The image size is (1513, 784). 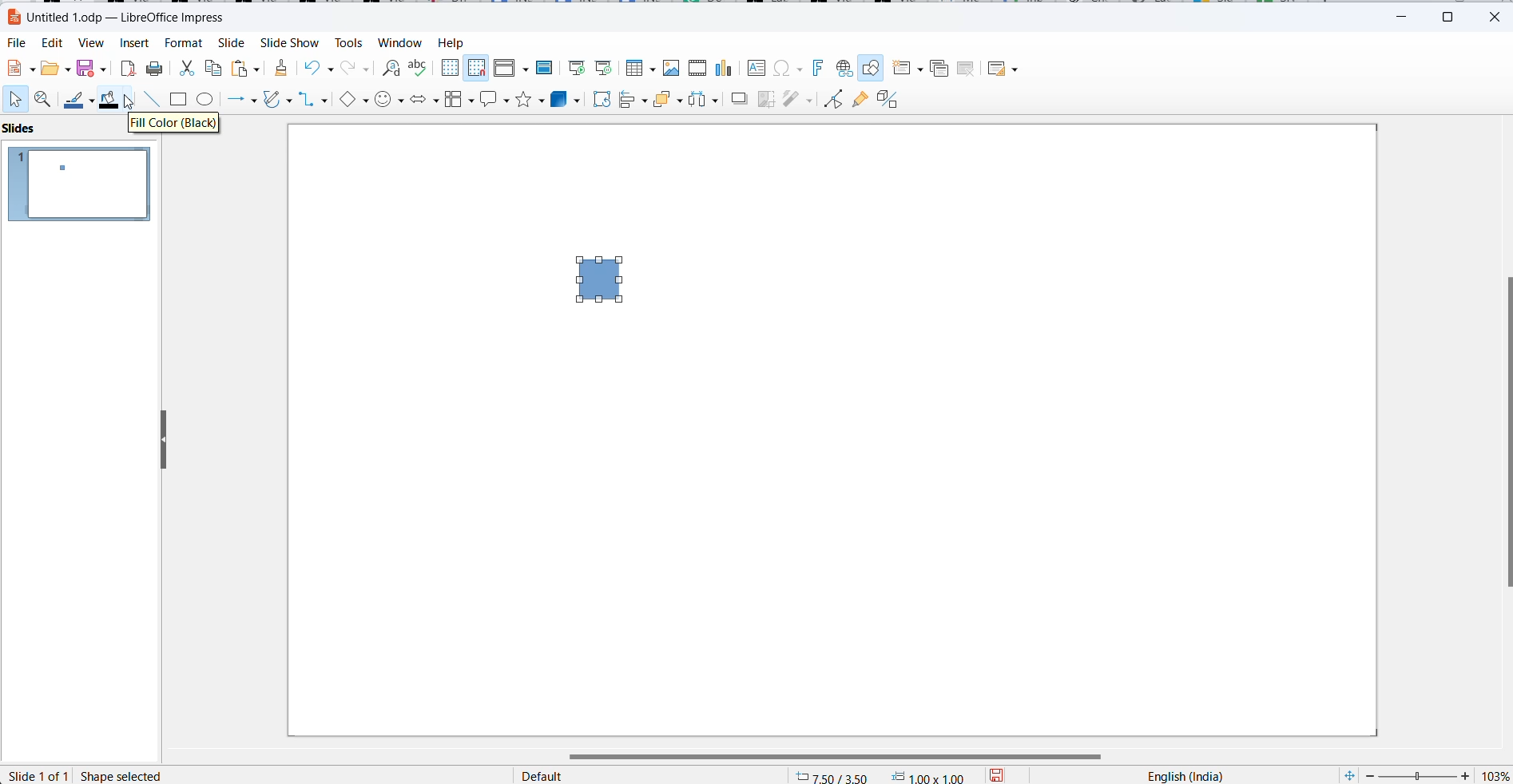 I want to click on slide preview, so click(x=76, y=184).